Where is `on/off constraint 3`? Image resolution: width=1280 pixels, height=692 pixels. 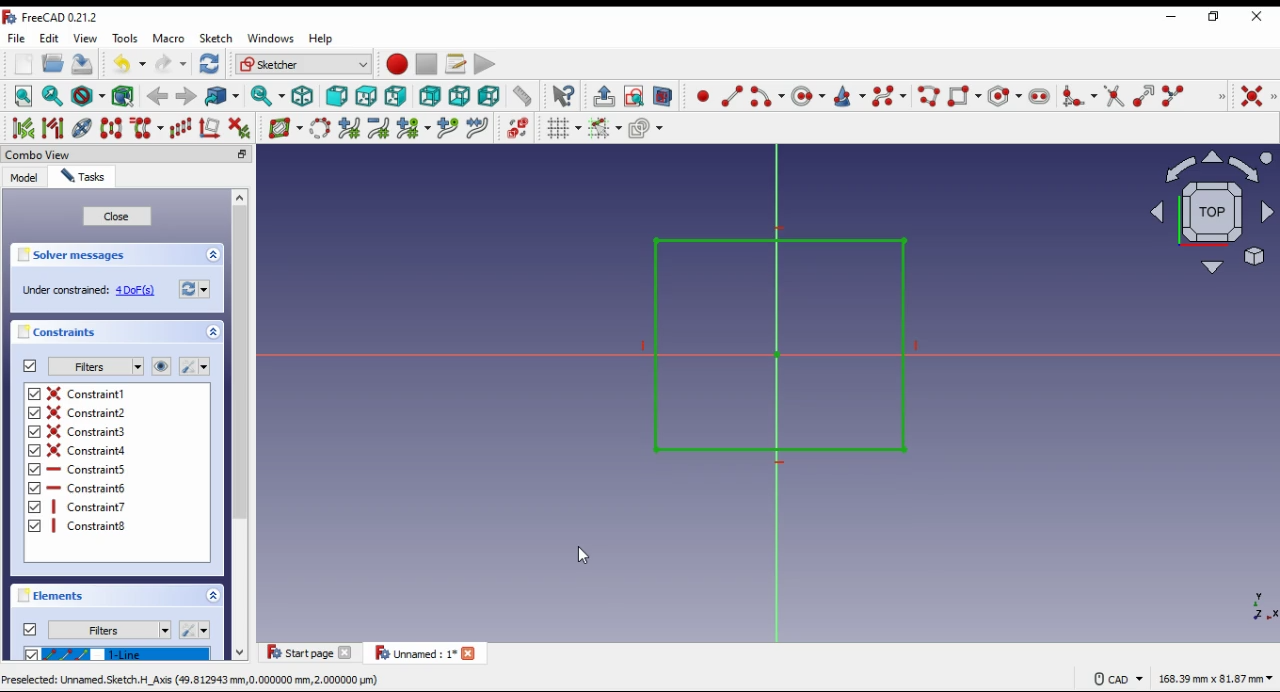 on/off constraint 3 is located at coordinates (86, 430).